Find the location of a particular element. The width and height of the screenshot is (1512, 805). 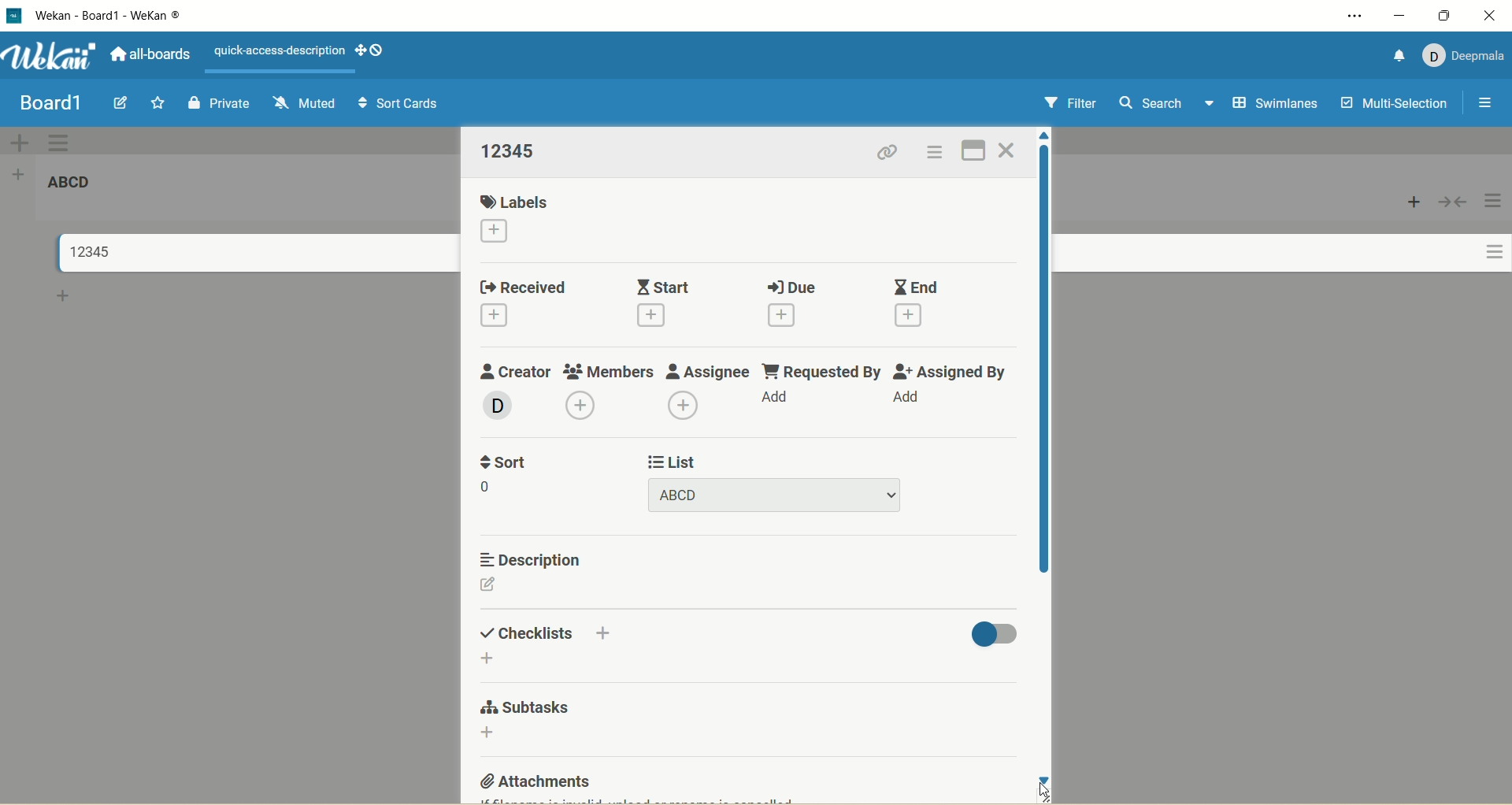

close is located at coordinates (1007, 151).